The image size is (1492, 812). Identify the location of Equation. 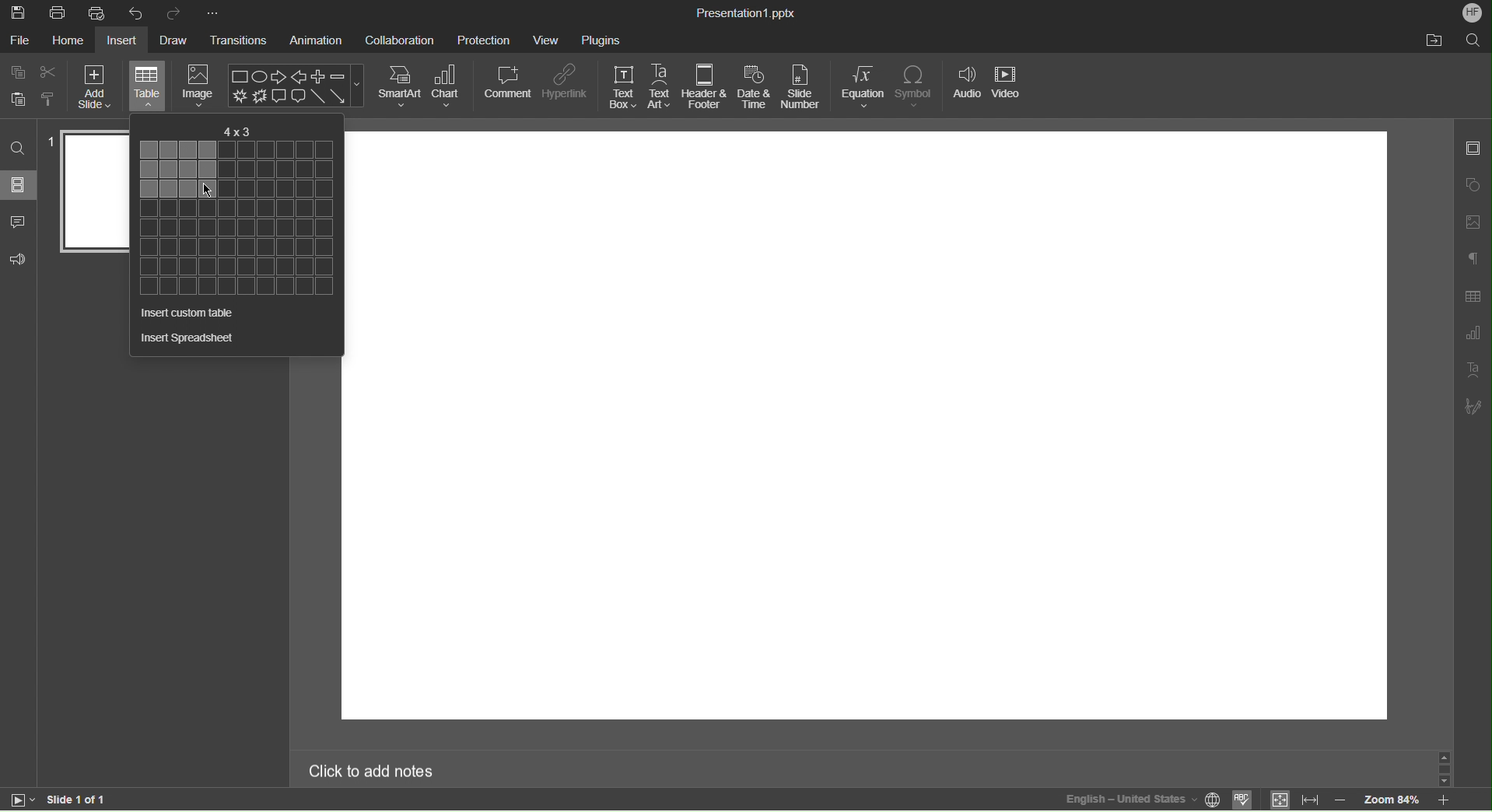
(863, 87).